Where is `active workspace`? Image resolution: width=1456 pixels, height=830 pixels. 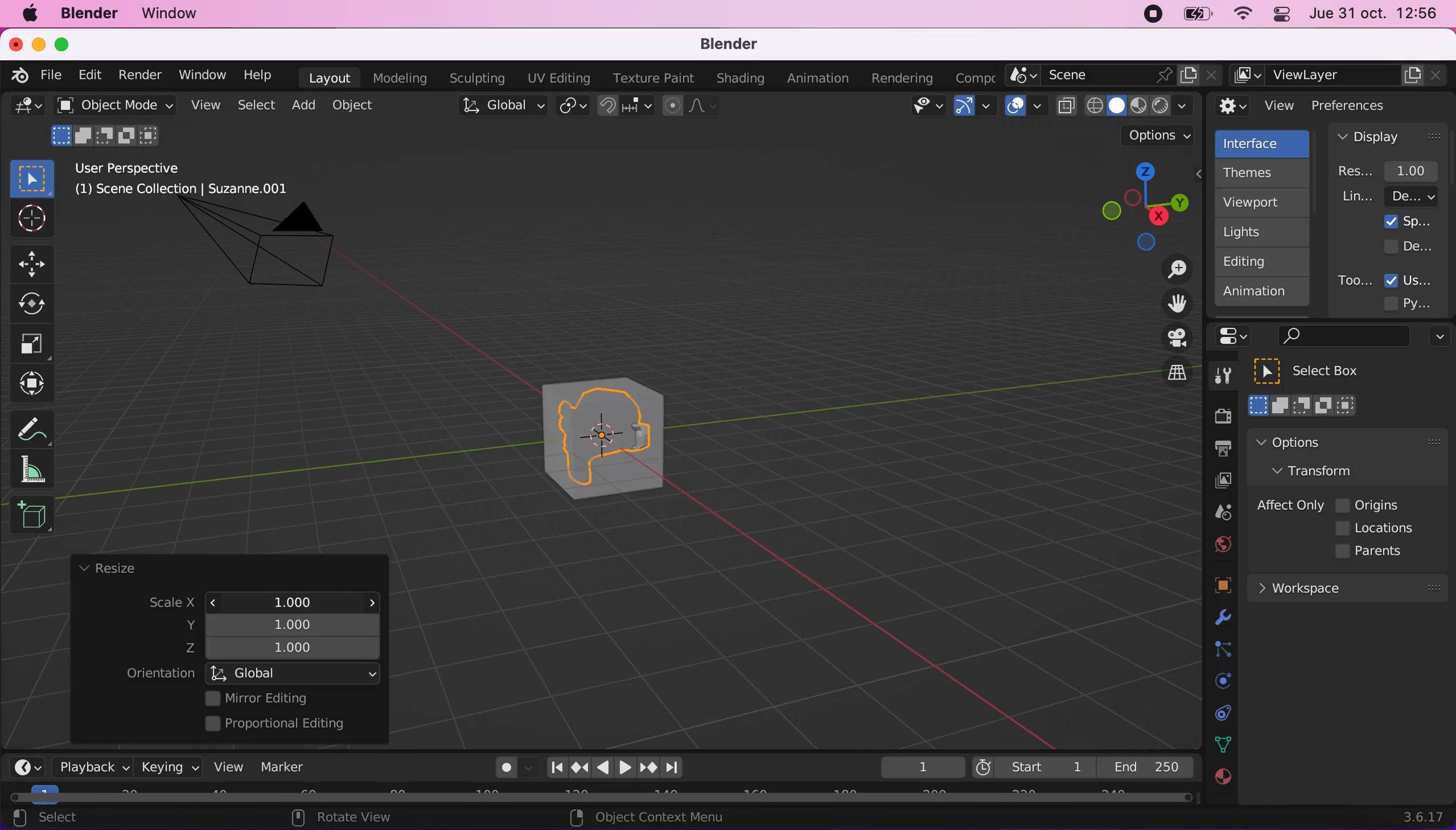
active workspace is located at coordinates (971, 76).